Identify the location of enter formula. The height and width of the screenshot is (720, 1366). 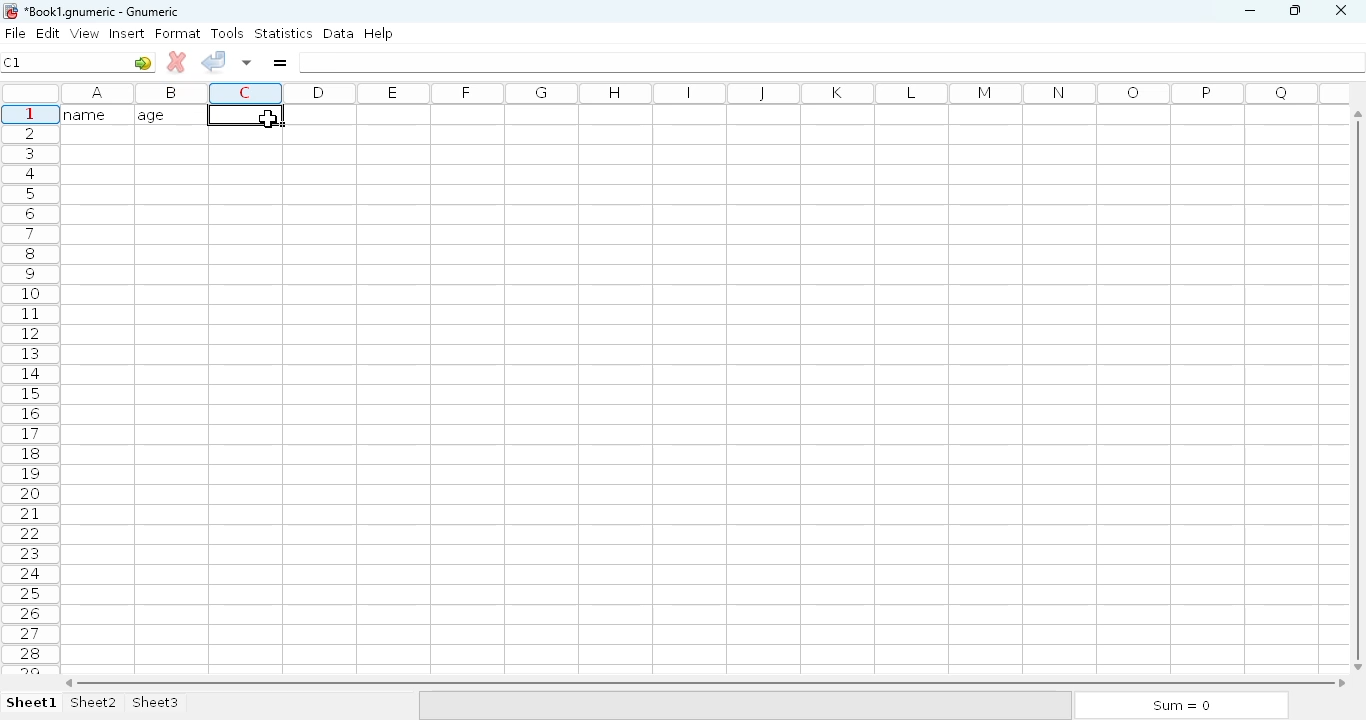
(279, 62).